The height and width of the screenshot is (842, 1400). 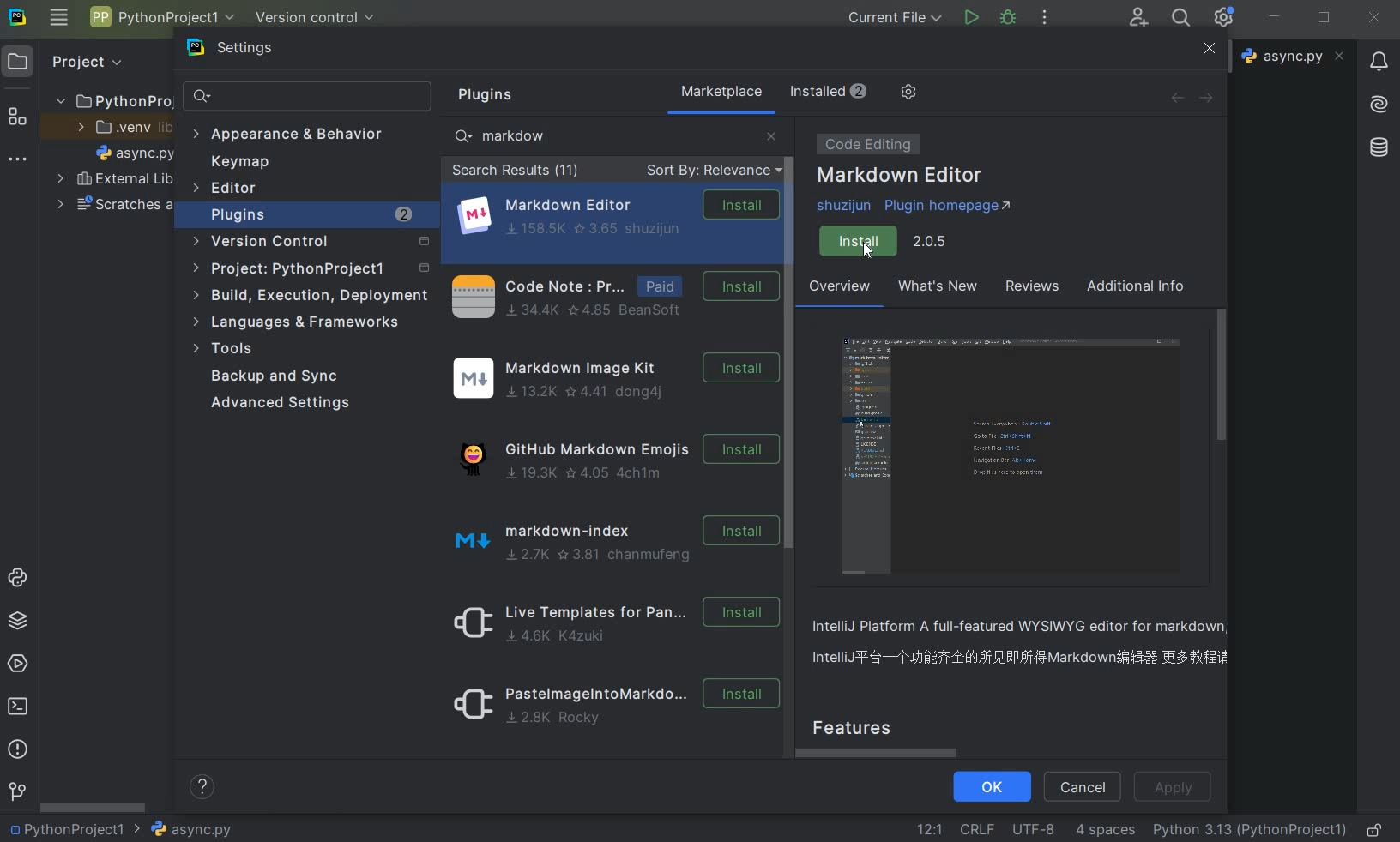 I want to click on Project name, so click(x=75, y=828).